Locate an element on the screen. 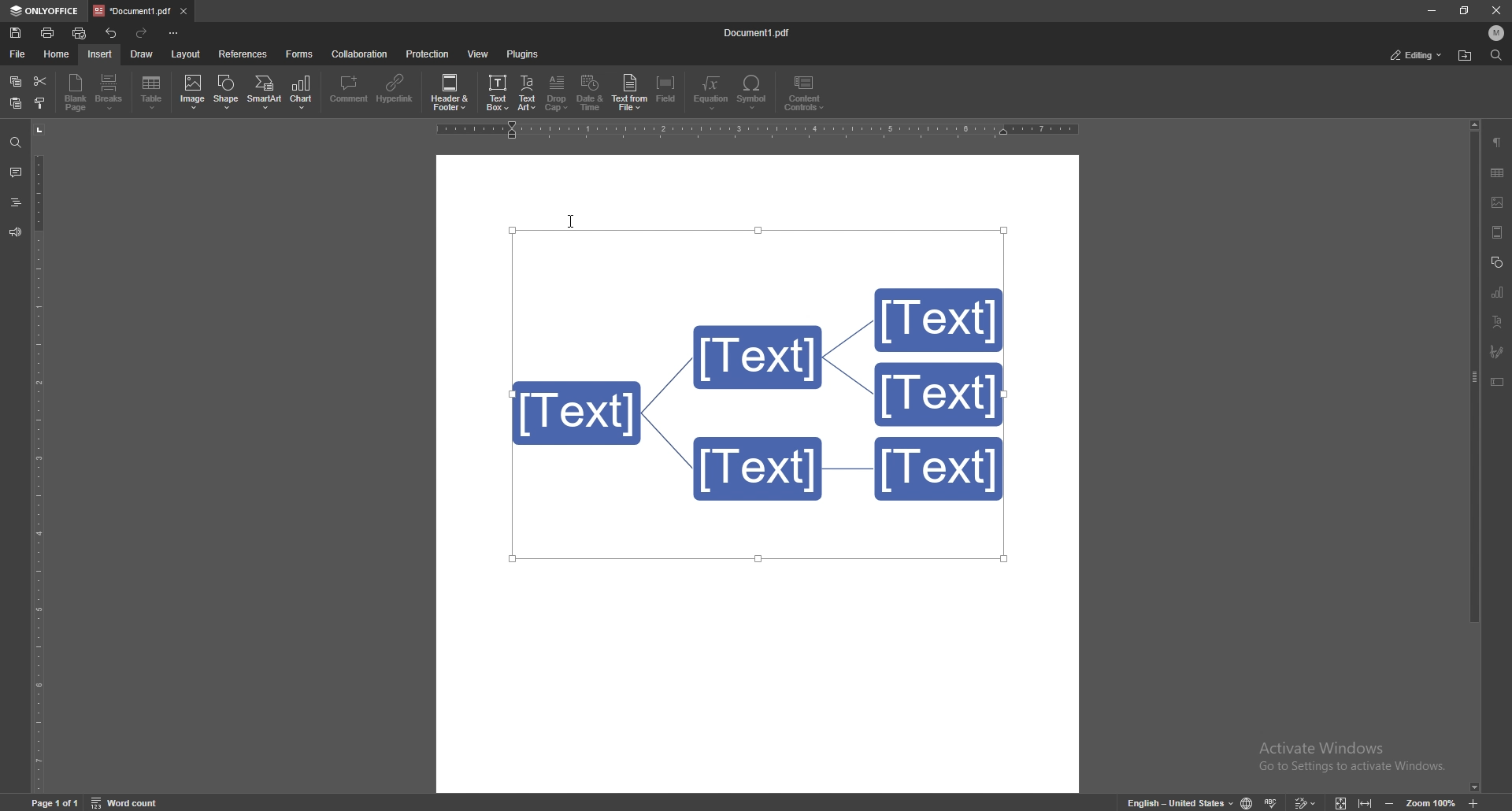  signature is located at coordinates (1497, 351).